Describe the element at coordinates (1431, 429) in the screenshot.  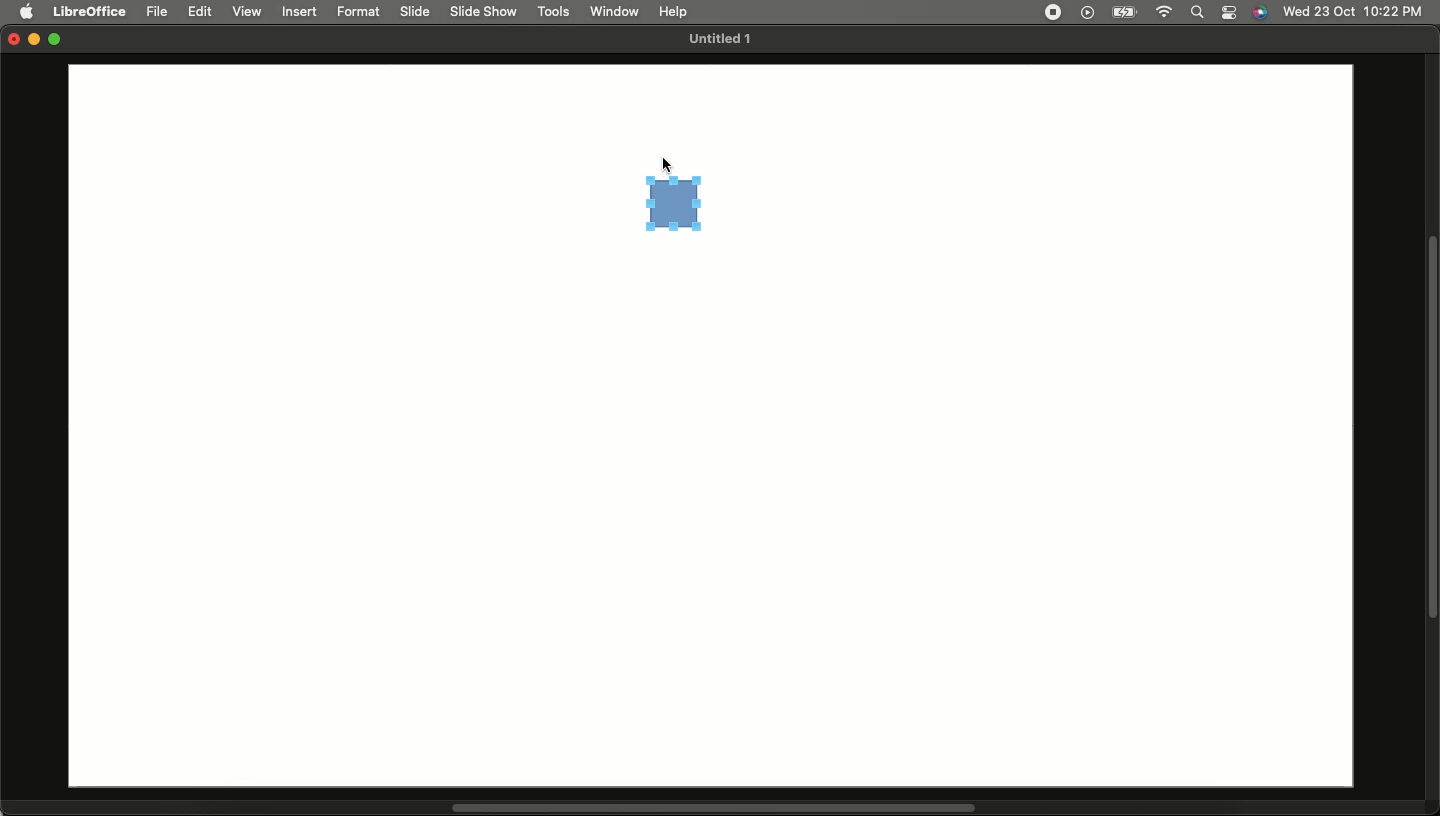
I see `Scroll` at that location.